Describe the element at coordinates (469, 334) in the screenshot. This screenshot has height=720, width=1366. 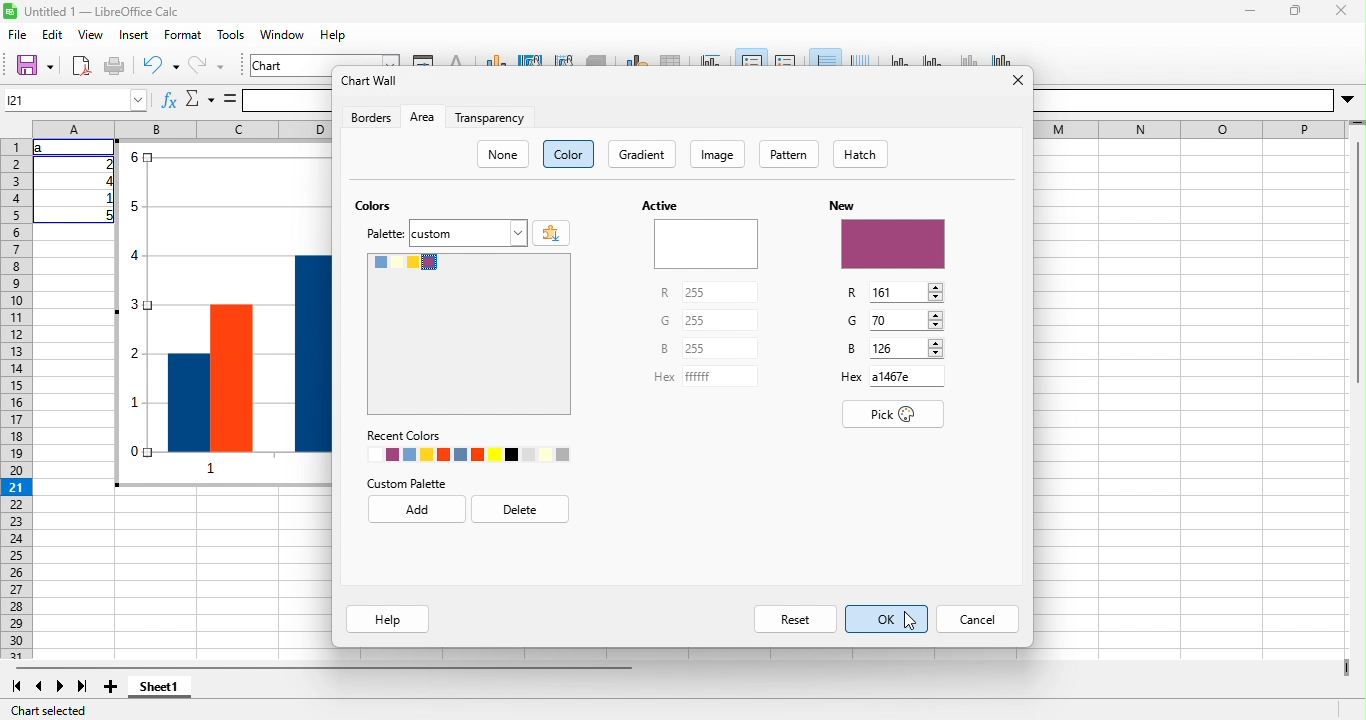
I see `custom colors` at that location.